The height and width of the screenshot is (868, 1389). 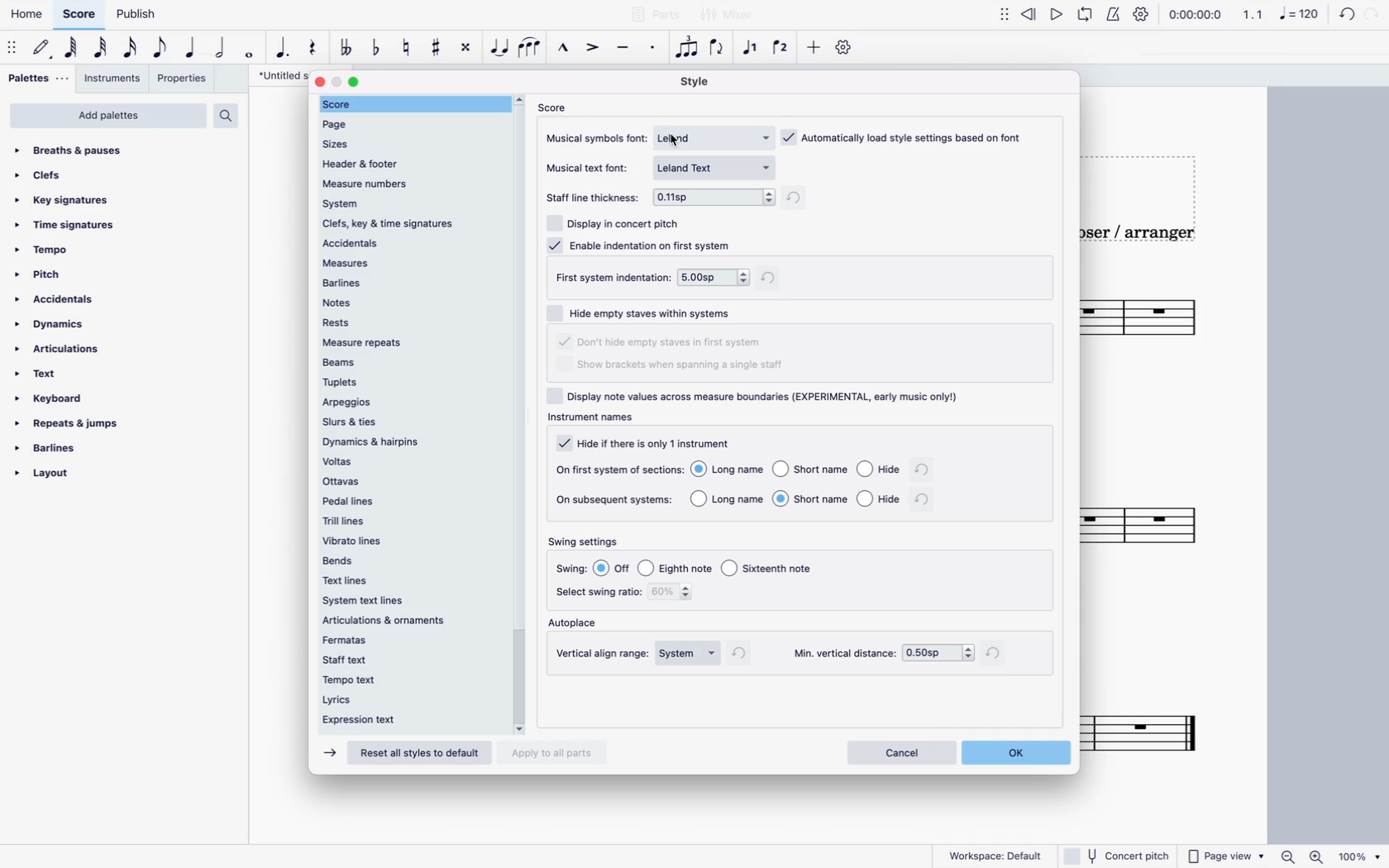 What do you see at coordinates (596, 193) in the screenshot?
I see `staff line thickness` at bounding box center [596, 193].